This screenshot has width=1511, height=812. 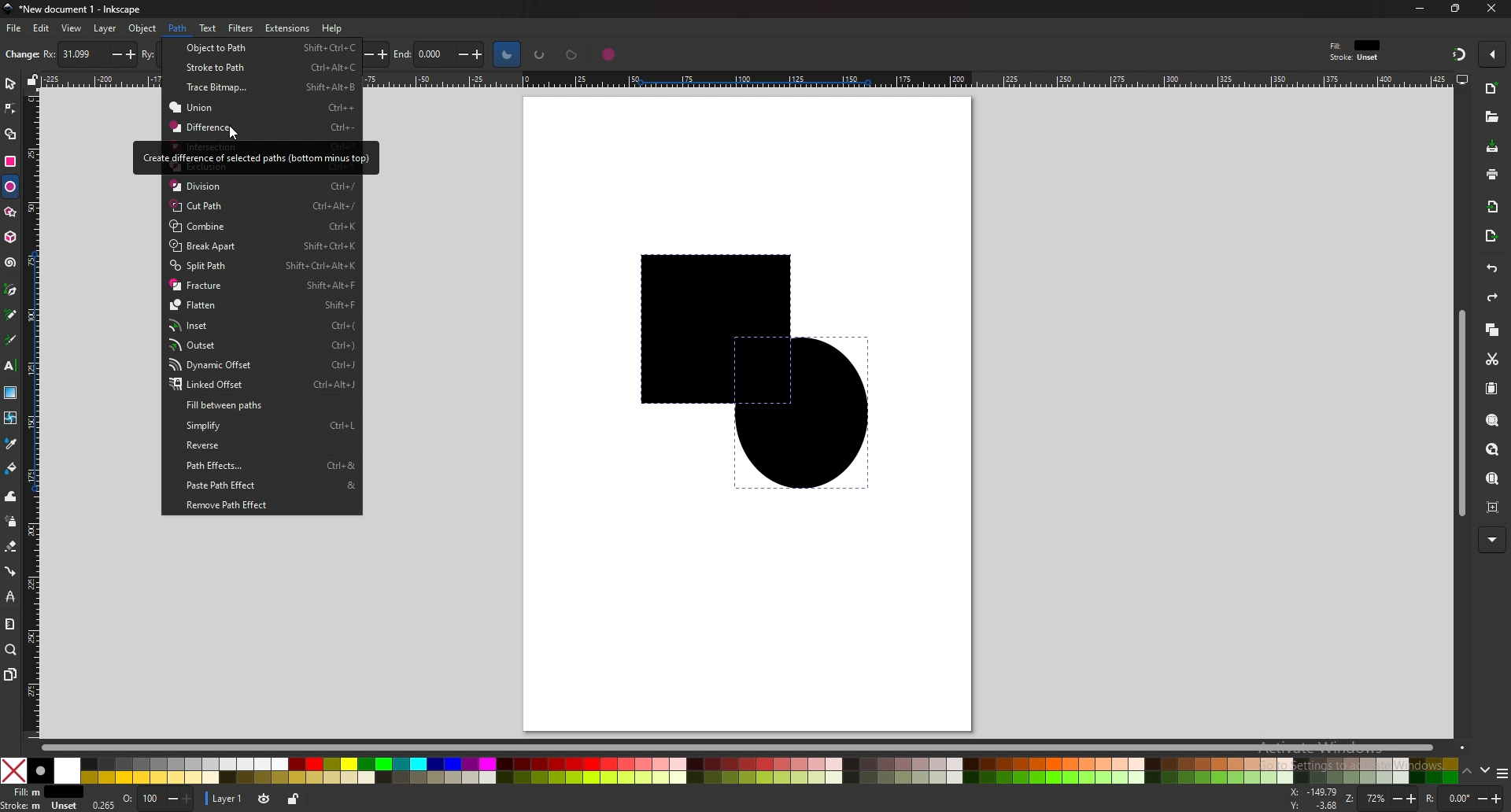 What do you see at coordinates (257, 385) in the screenshot?
I see `Linked Offset` at bounding box center [257, 385].